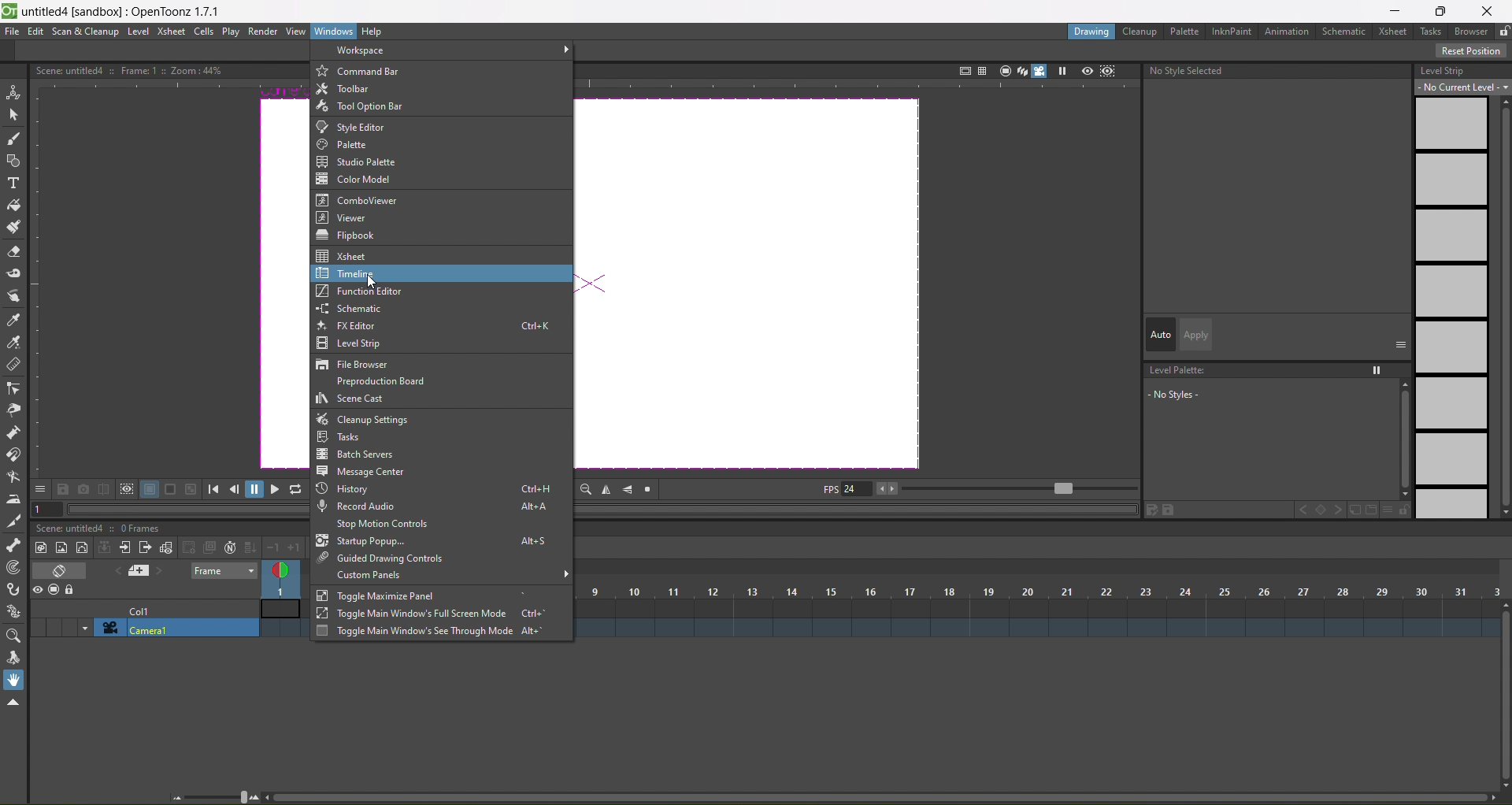  I want to click on field guide, so click(981, 69).